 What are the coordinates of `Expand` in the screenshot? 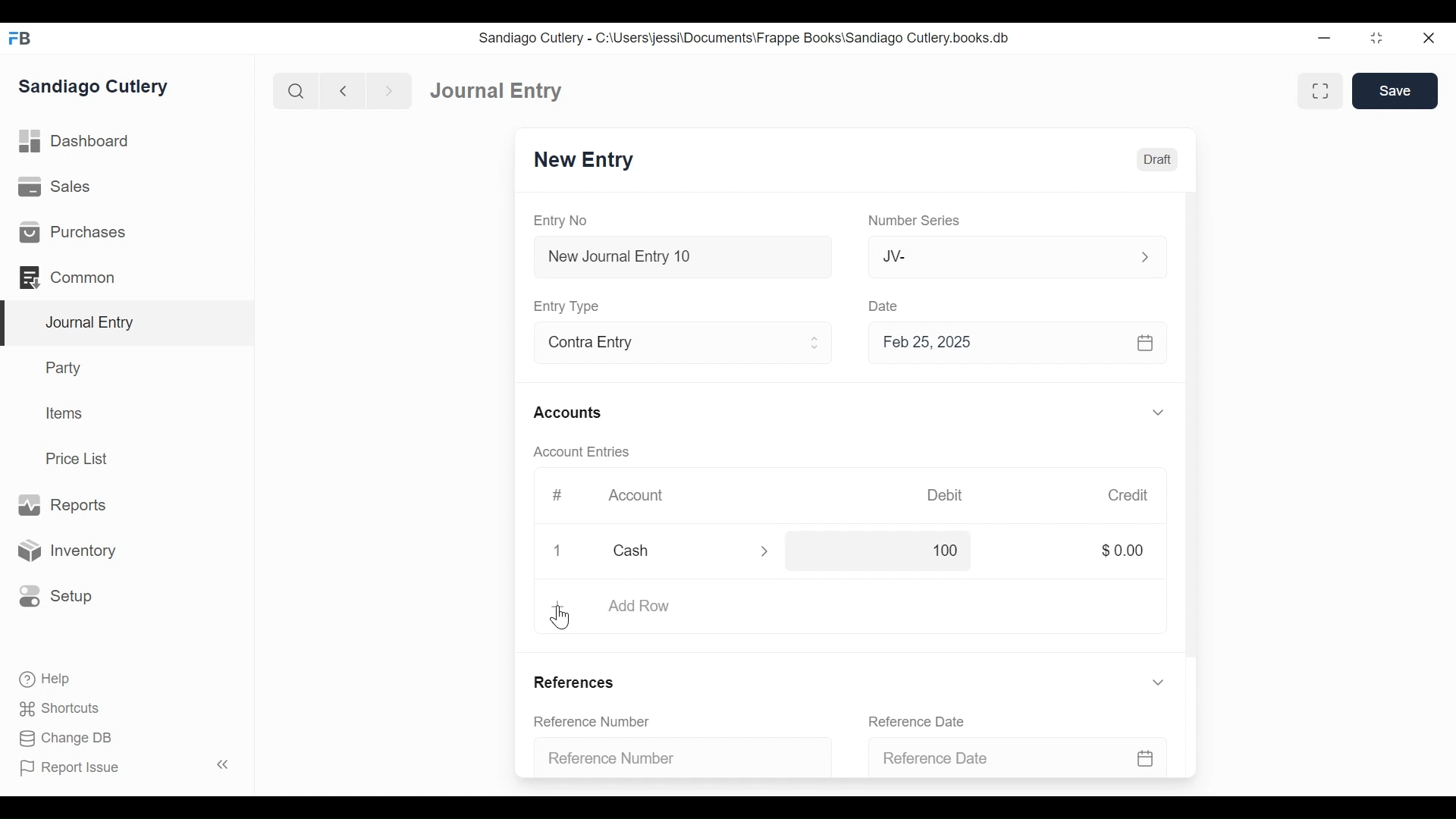 It's located at (1158, 413).